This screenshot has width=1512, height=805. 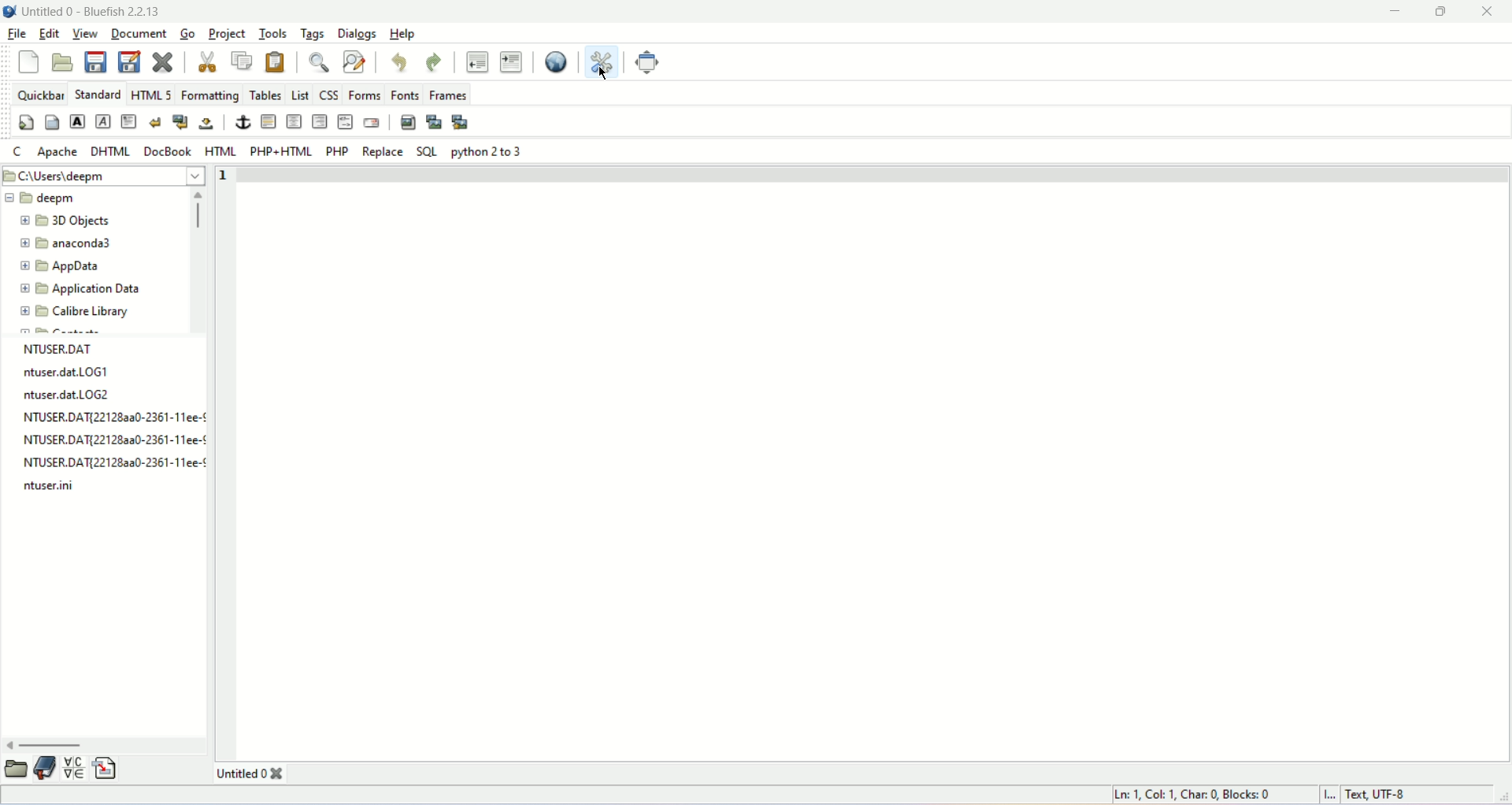 I want to click on edit, so click(x=50, y=34).